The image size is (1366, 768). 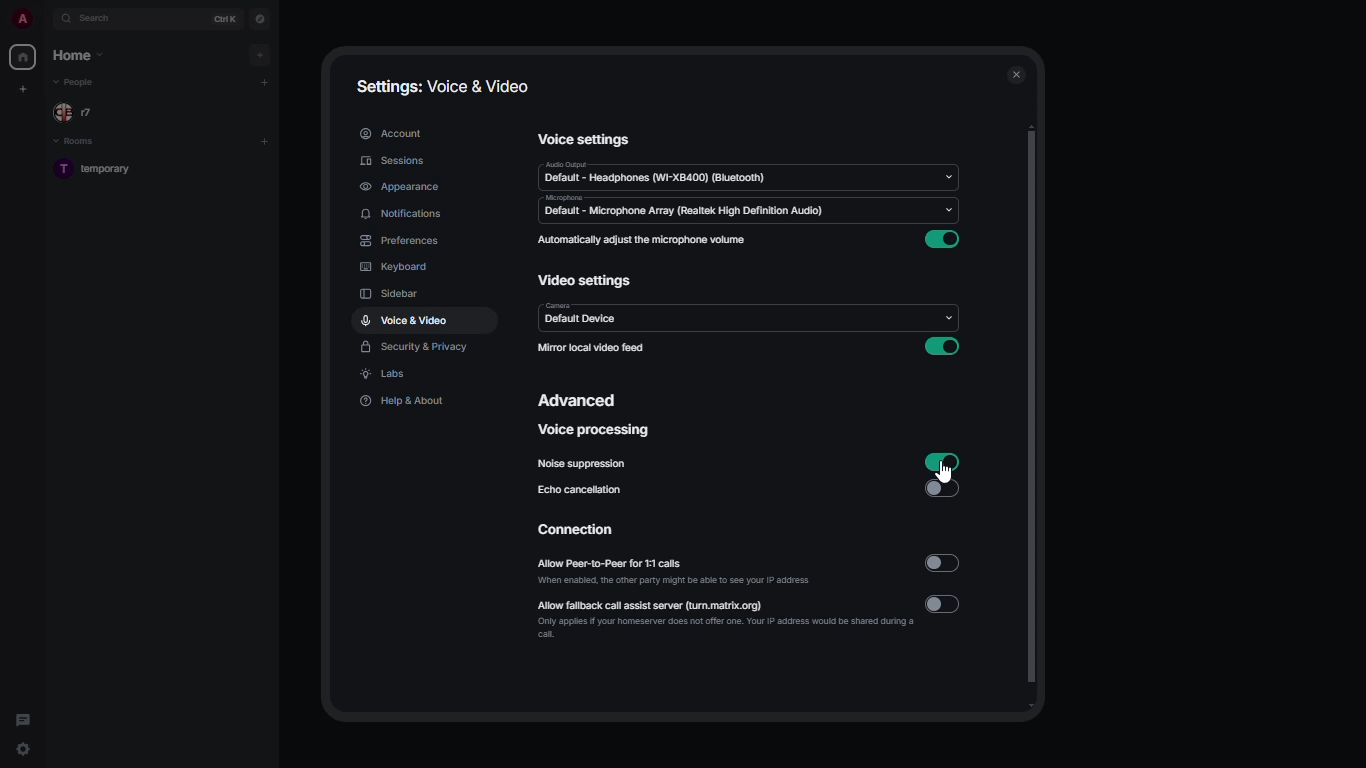 What do you see at coordinates (593, 347) in the screenshot?
I see `mirror local video feed` at bounding box center [593, 347].